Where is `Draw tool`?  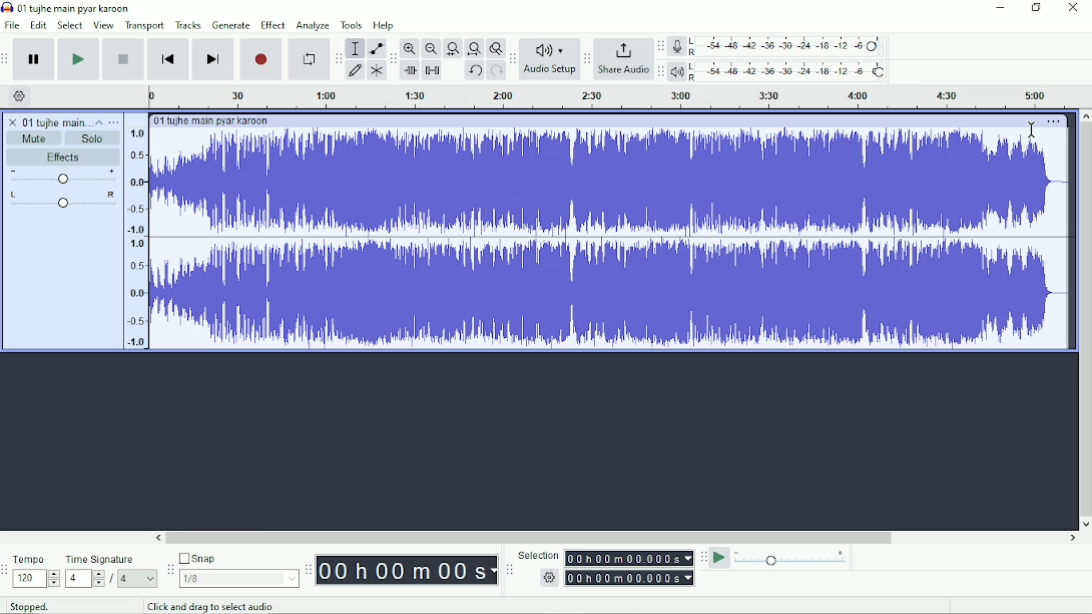 Draw tool is located at coordinates (354, 70).